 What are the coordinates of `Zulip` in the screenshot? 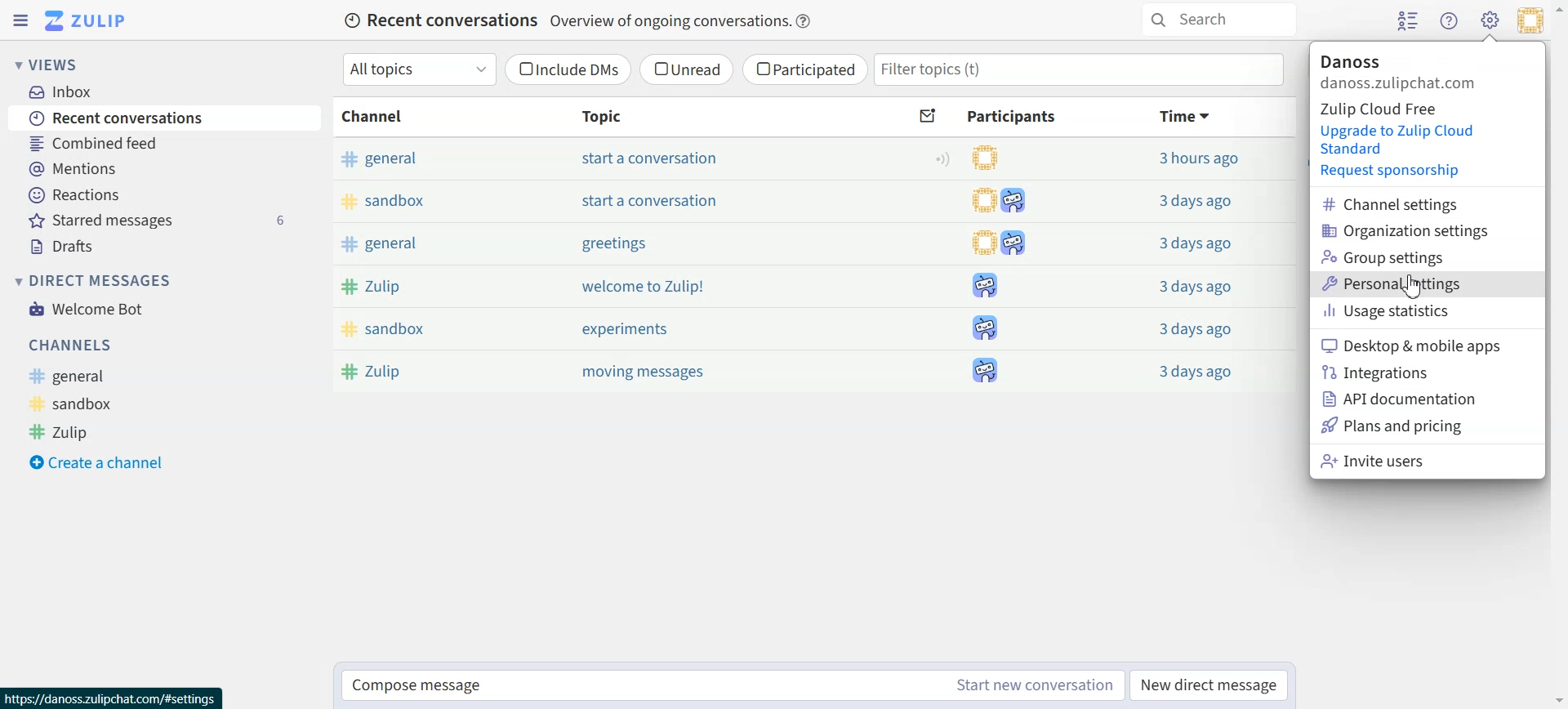 It's located at (381, 288).